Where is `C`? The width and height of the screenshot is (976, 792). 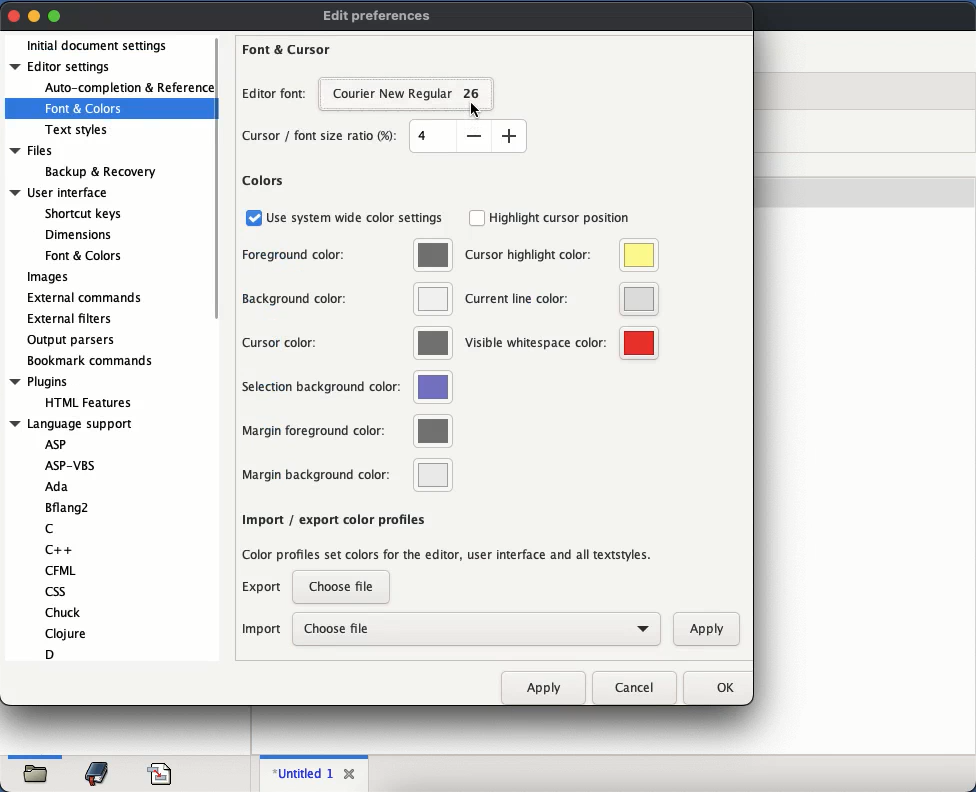
C is located at coordinates (51, 528).